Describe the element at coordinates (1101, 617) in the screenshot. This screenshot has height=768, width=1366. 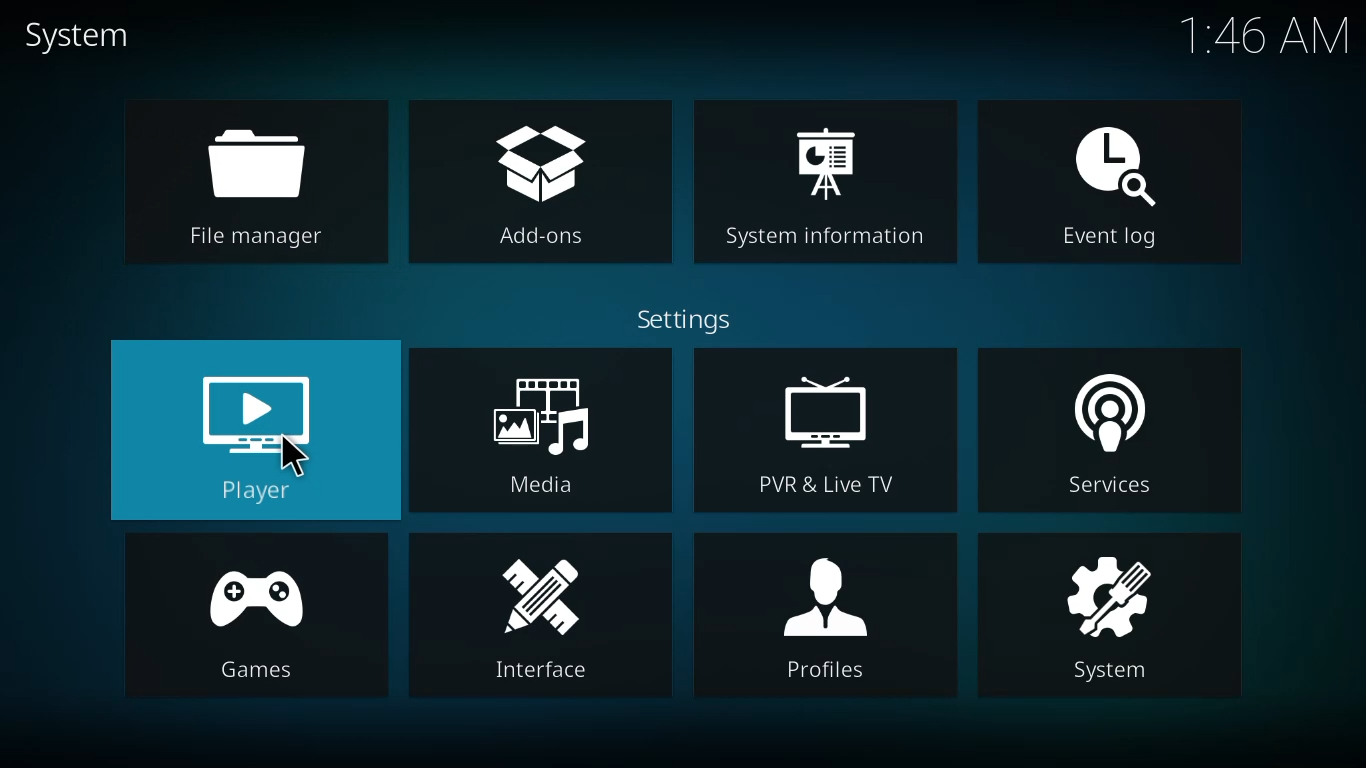
I see `system` at that location.